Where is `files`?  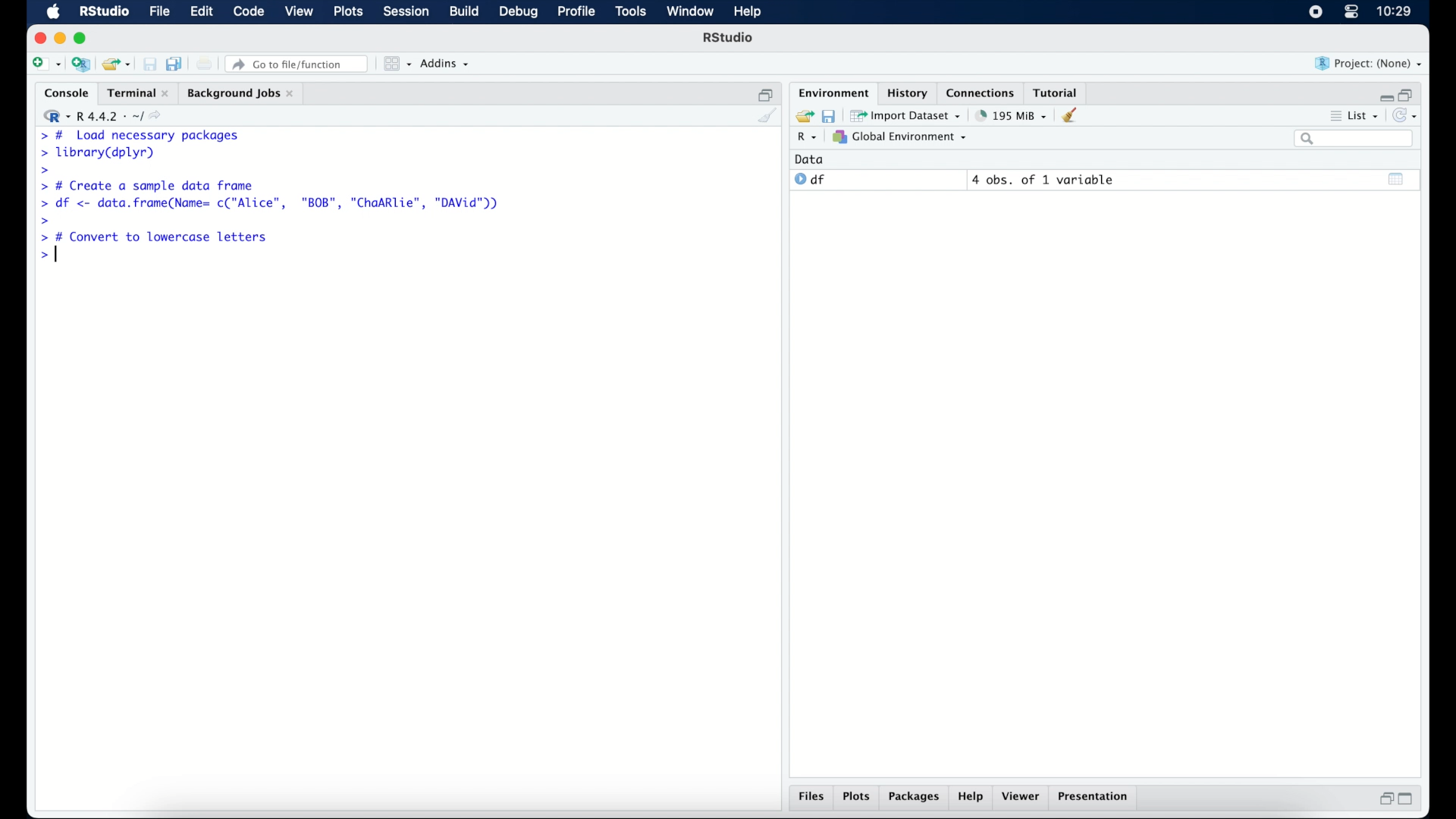
files is located at coordinates (811, 799).